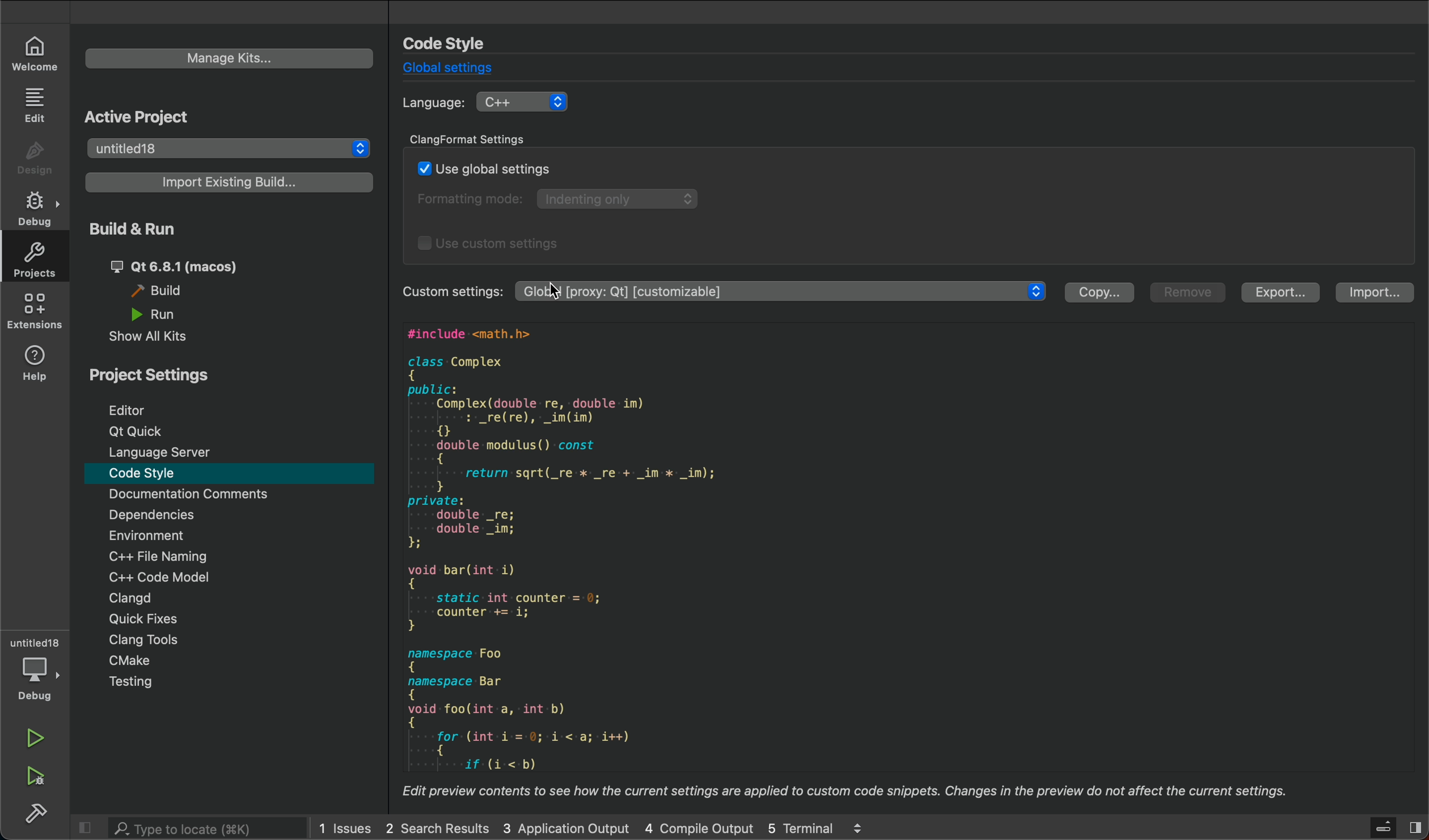 Image resolution: width=1429 pixels, height=840 pixels. I want to click on code style, so click(450, 43).